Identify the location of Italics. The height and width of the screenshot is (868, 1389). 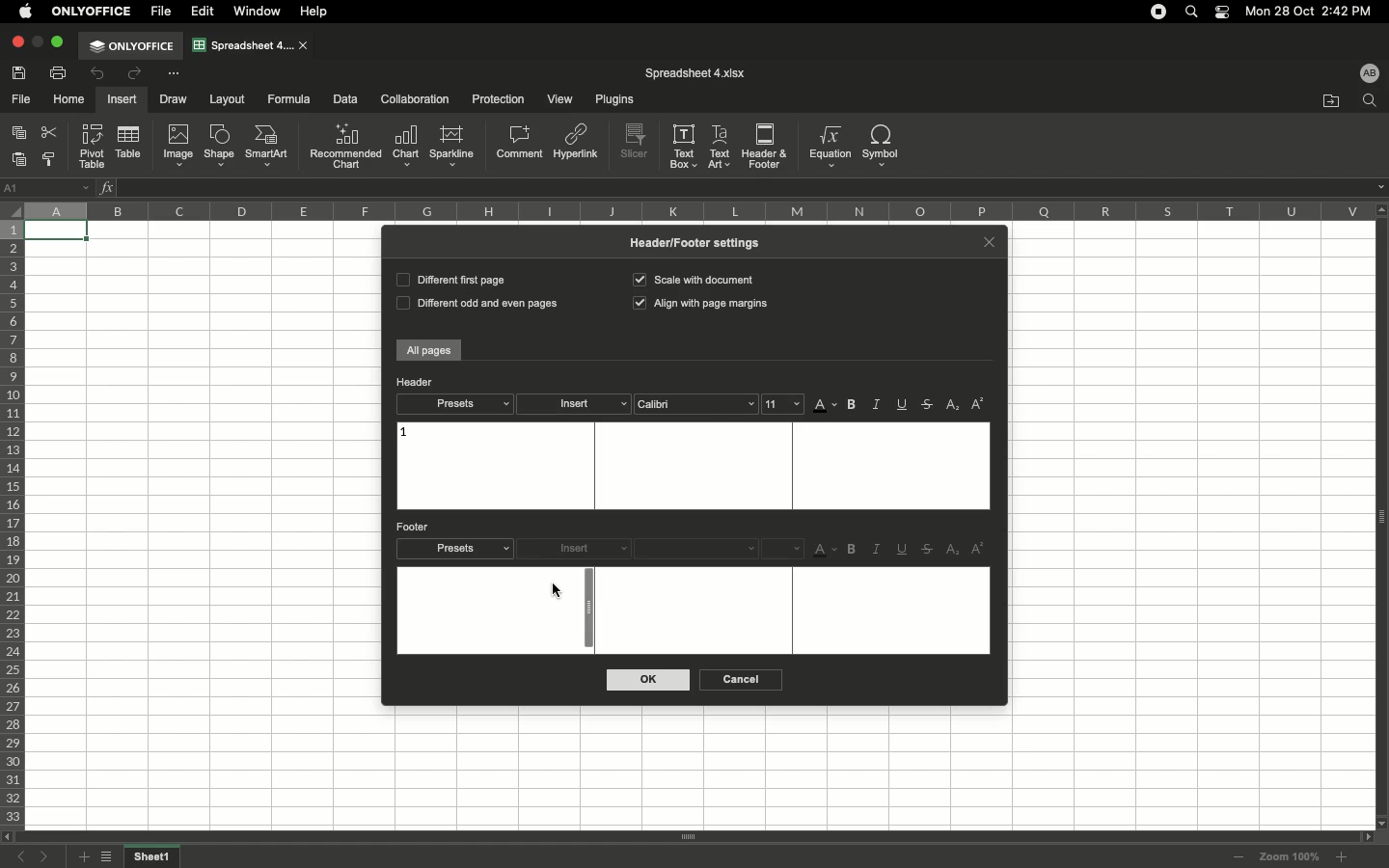
(878, 549).